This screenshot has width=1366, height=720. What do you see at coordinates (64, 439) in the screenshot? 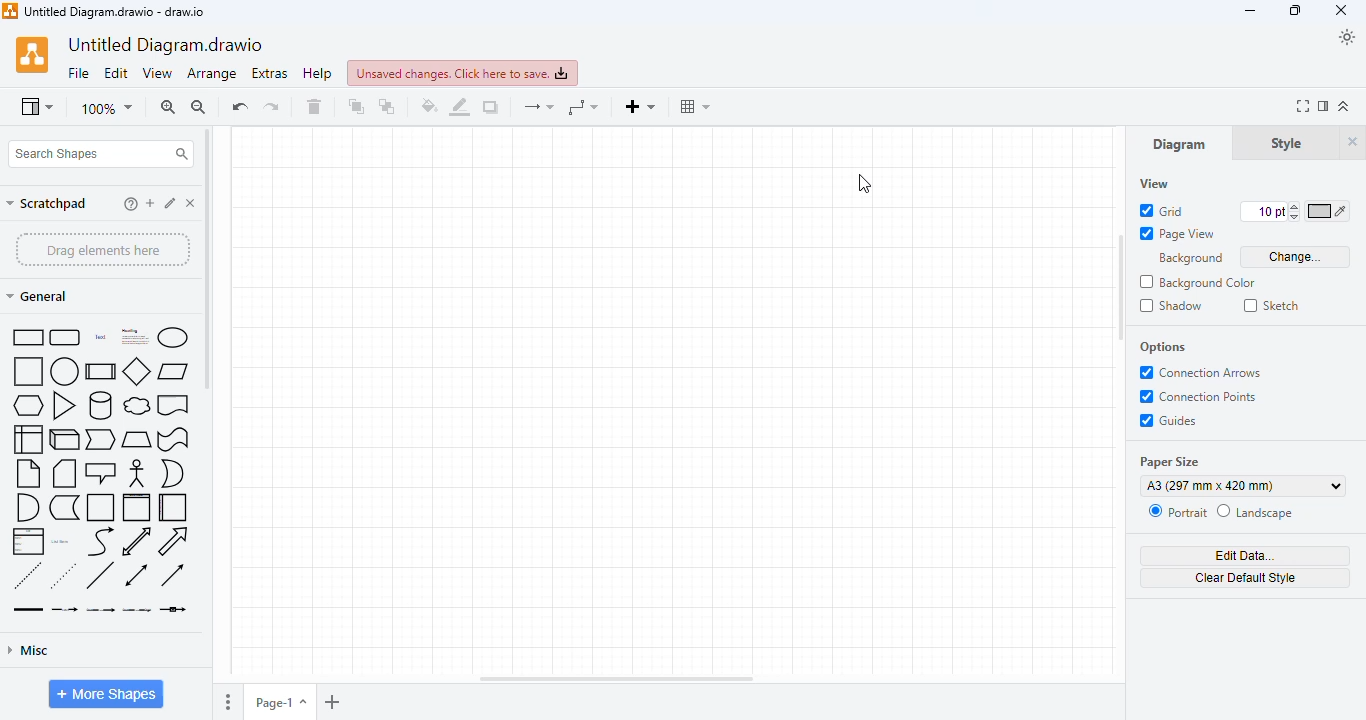
I see `cube` at bounding box center [64, 439].